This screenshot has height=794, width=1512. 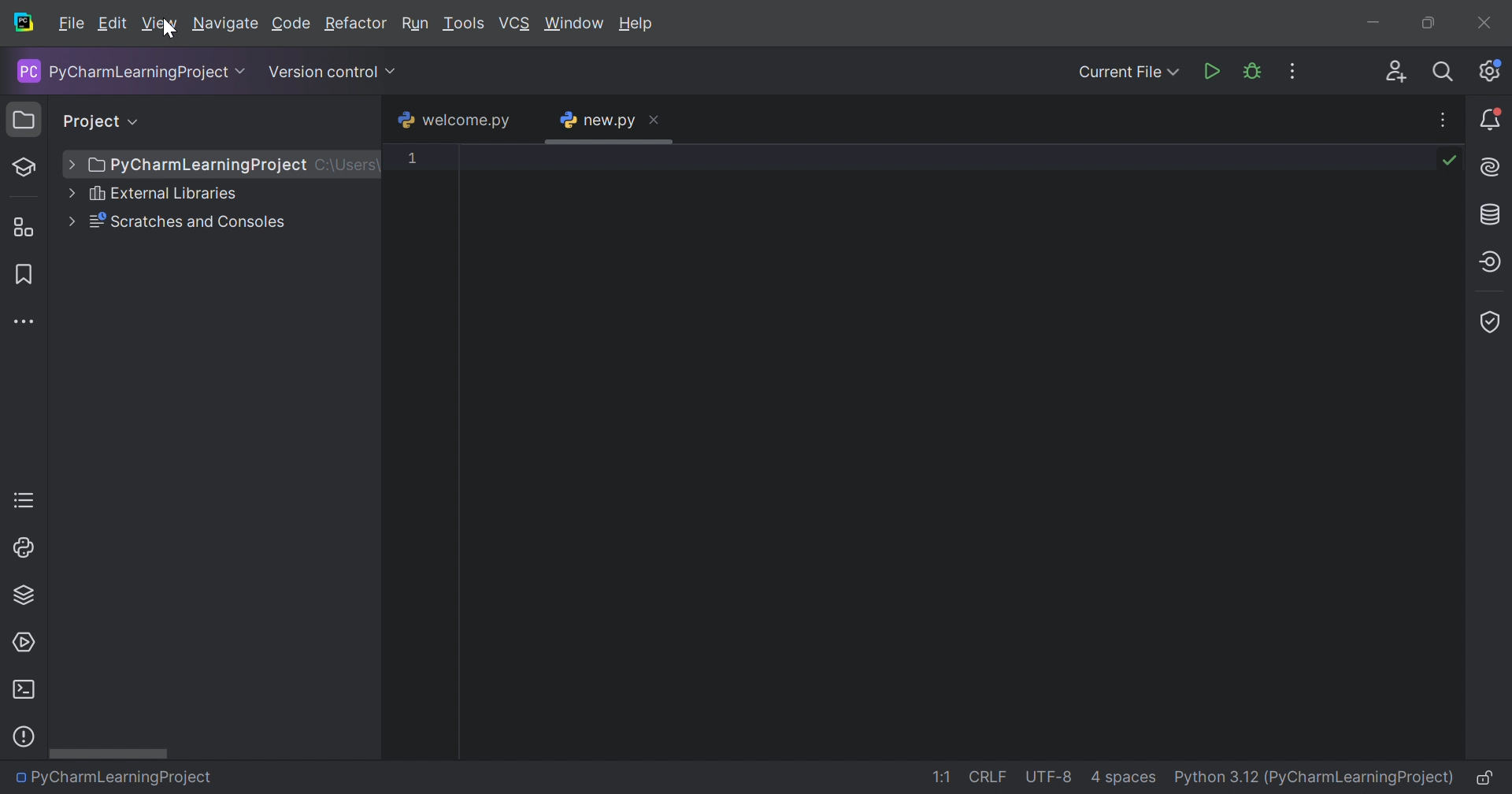 I want to click on Refactor, so click(x=355, y=25).